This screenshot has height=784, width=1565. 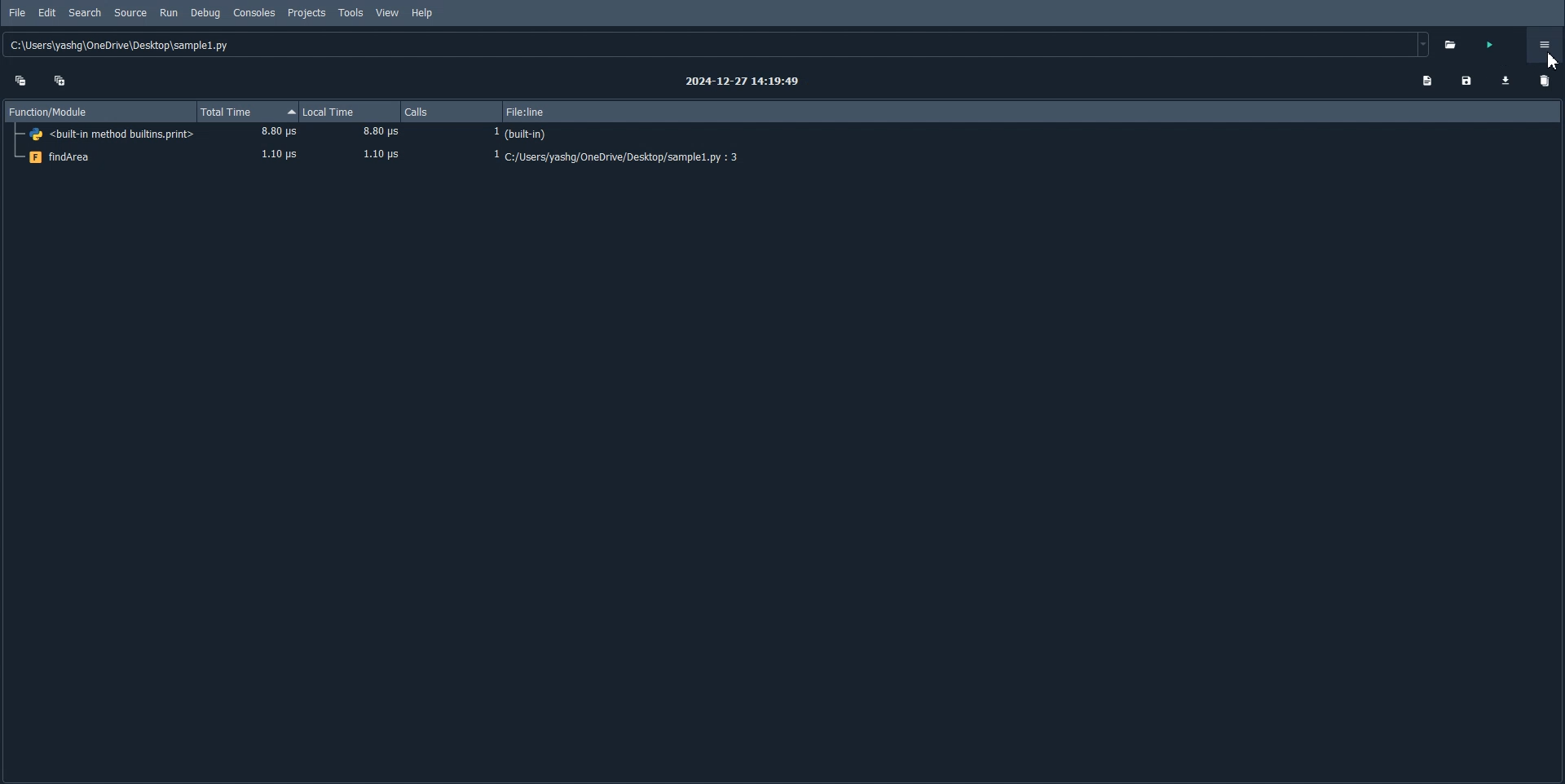 What do you see at coordinates (131, 13) in the screenshot?
I see `Source` at bounding box center [131, 13].